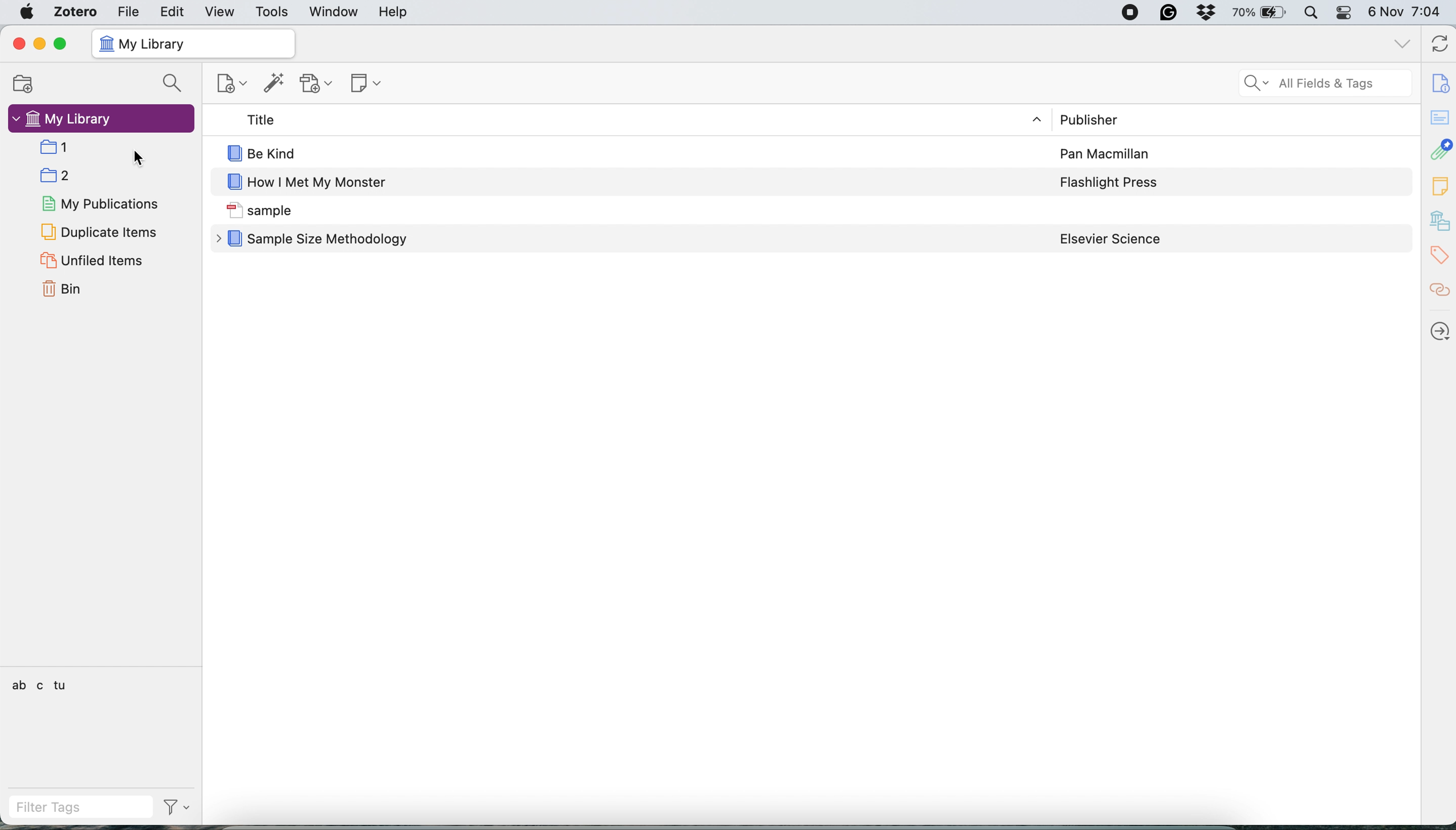 Image resolution: width=1456 pixels, height=830 pixels. Describe the element at coordinates (1407, 12) in the screenshot. I see `6 Nov 7:04` at that location.